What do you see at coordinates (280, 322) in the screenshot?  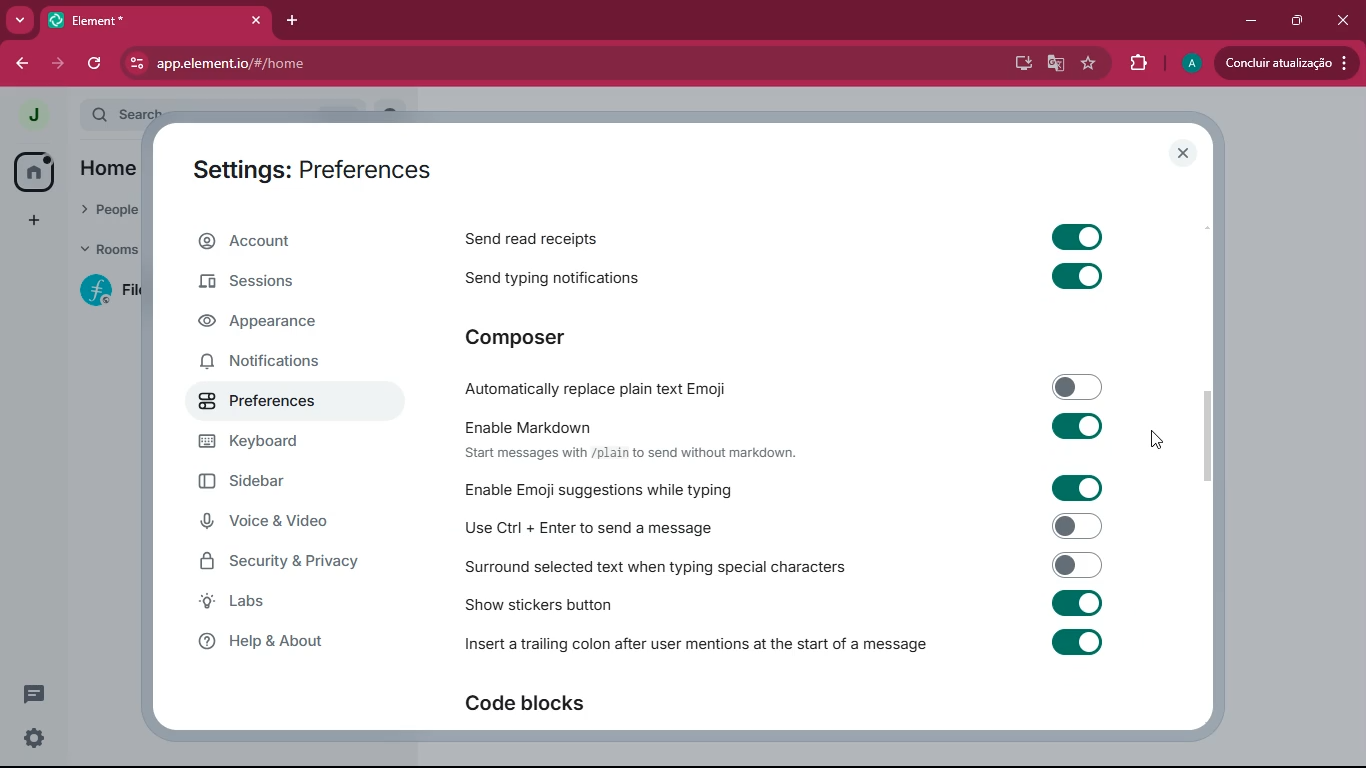 I see `appearance` at bounding box center [280, 322].